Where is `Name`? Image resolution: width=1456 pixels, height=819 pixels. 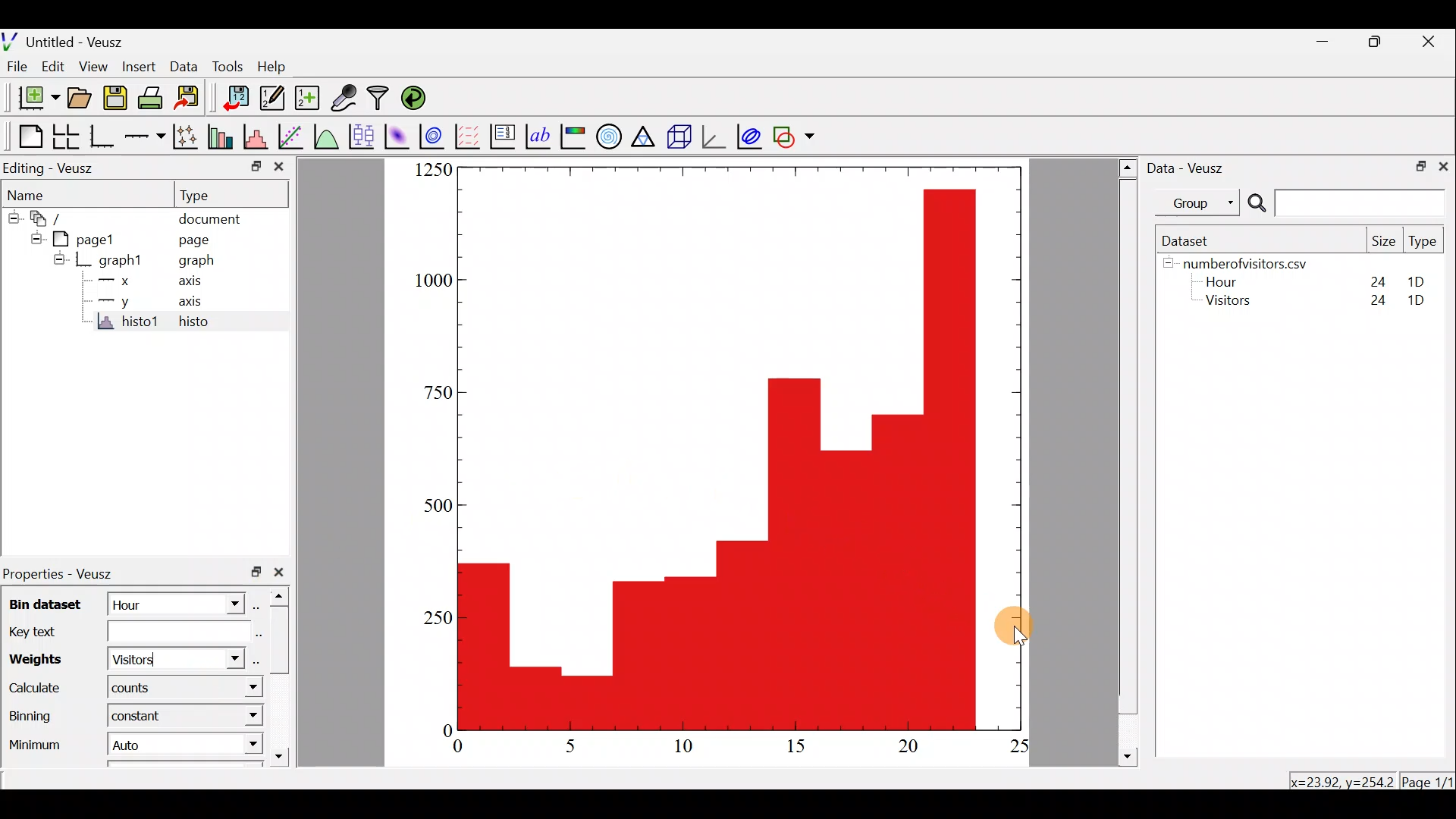
Name is located at coordinates (30, 192).